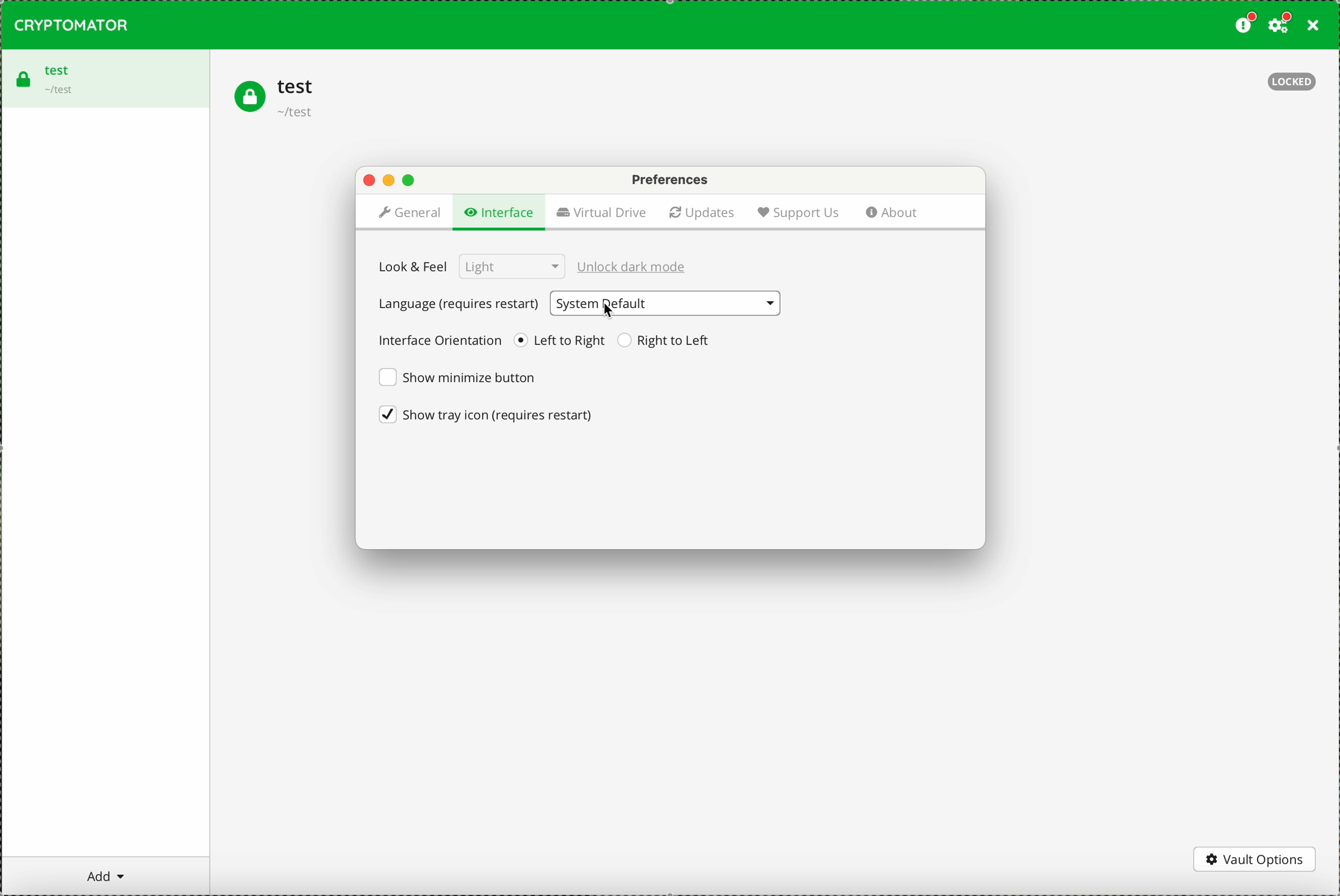 Image resolution: width=1340 pixels, height=896 pixels. Describe the element at coordinates (104, 78) in the screenshot. I see `test vault` at that location.